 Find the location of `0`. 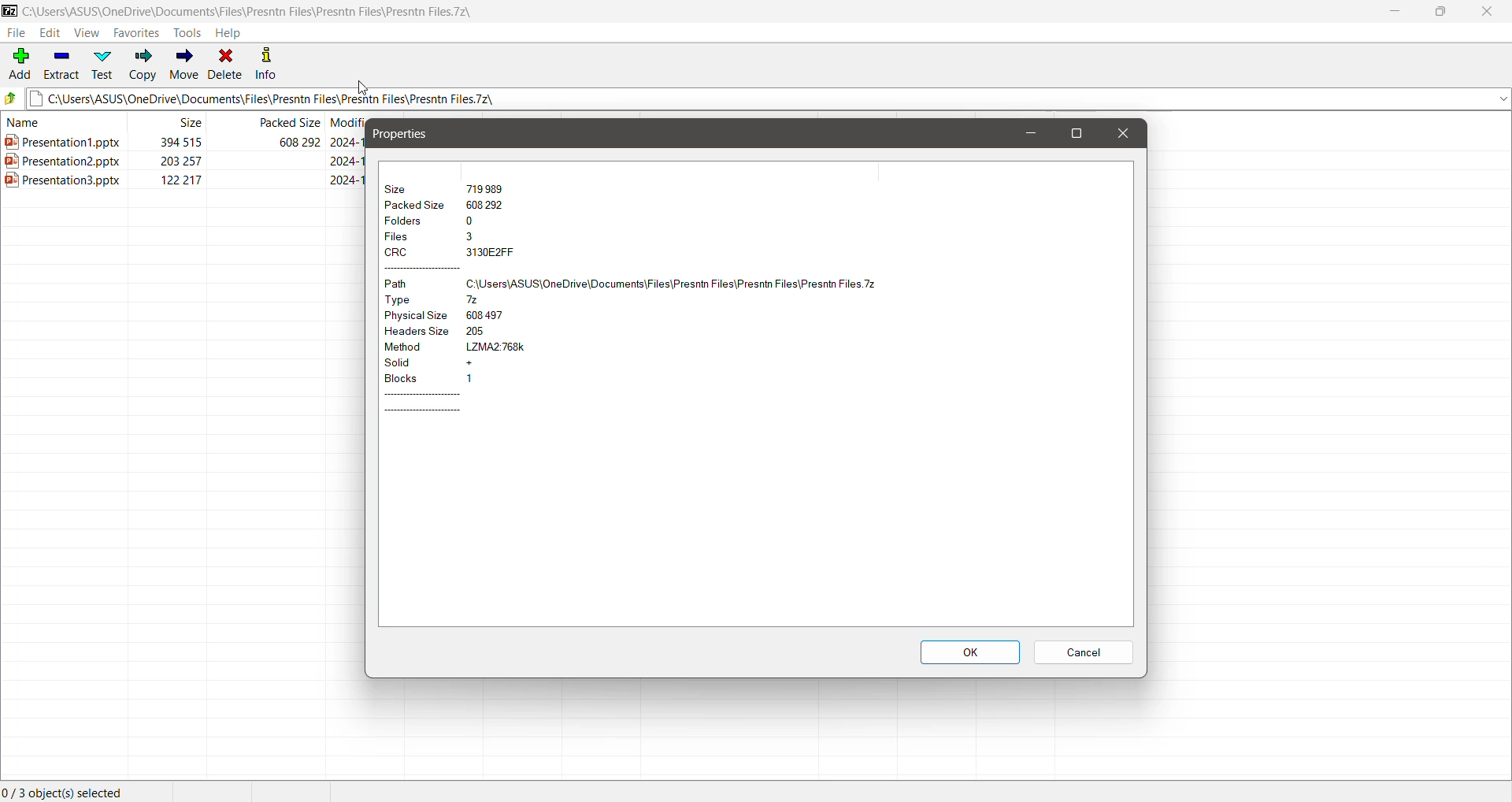

0 is located at coordinates (475, 219).